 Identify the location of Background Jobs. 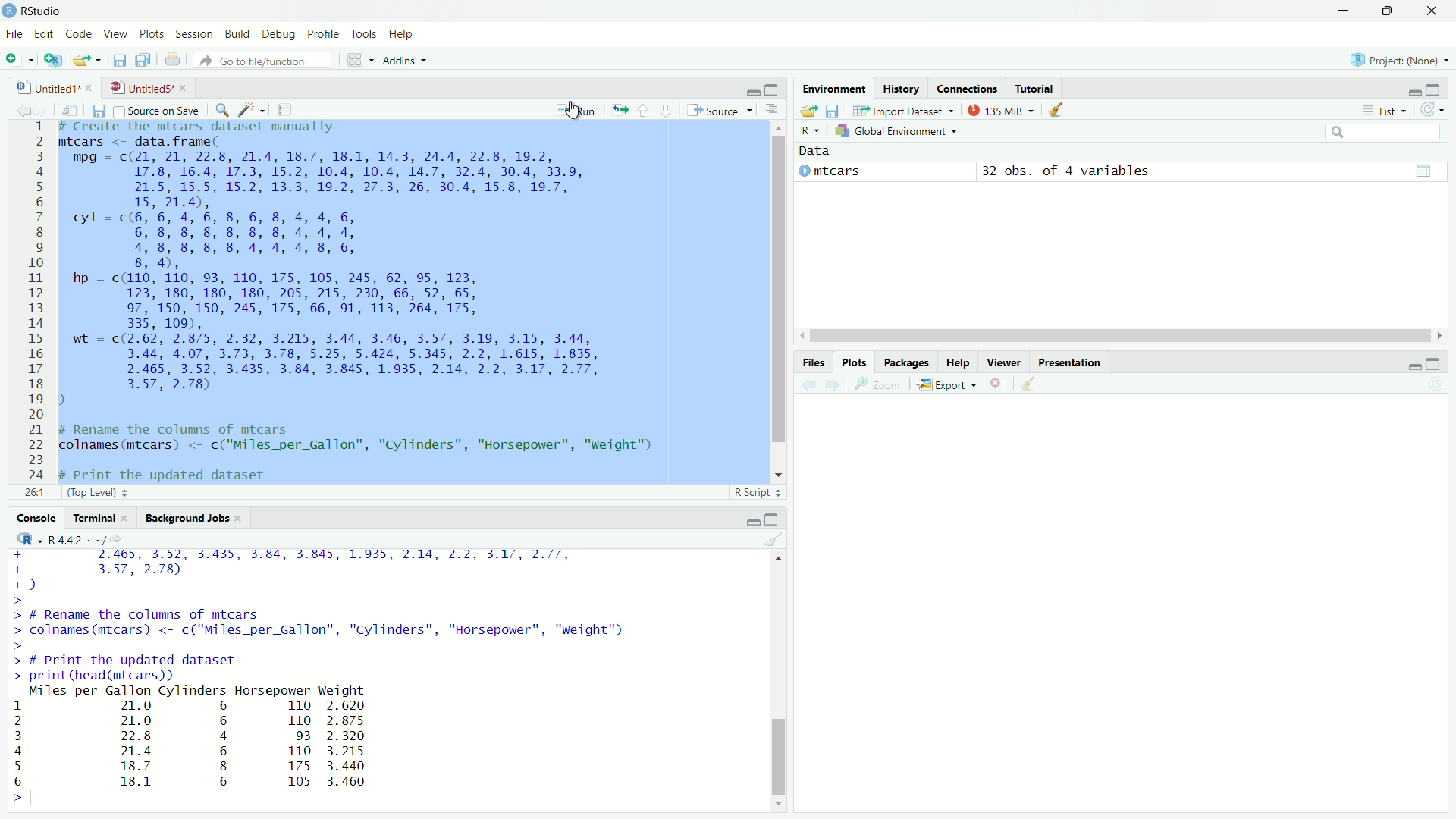
(193, 517).